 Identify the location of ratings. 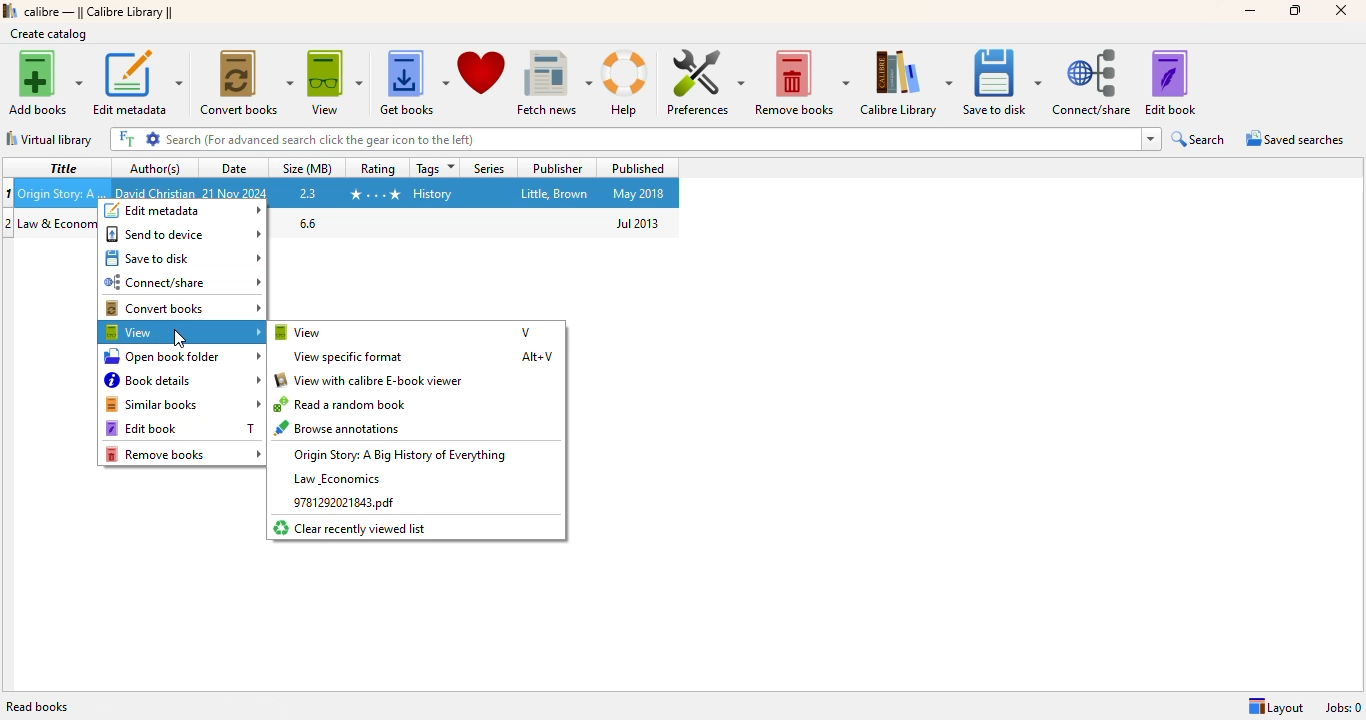
(374, 195).